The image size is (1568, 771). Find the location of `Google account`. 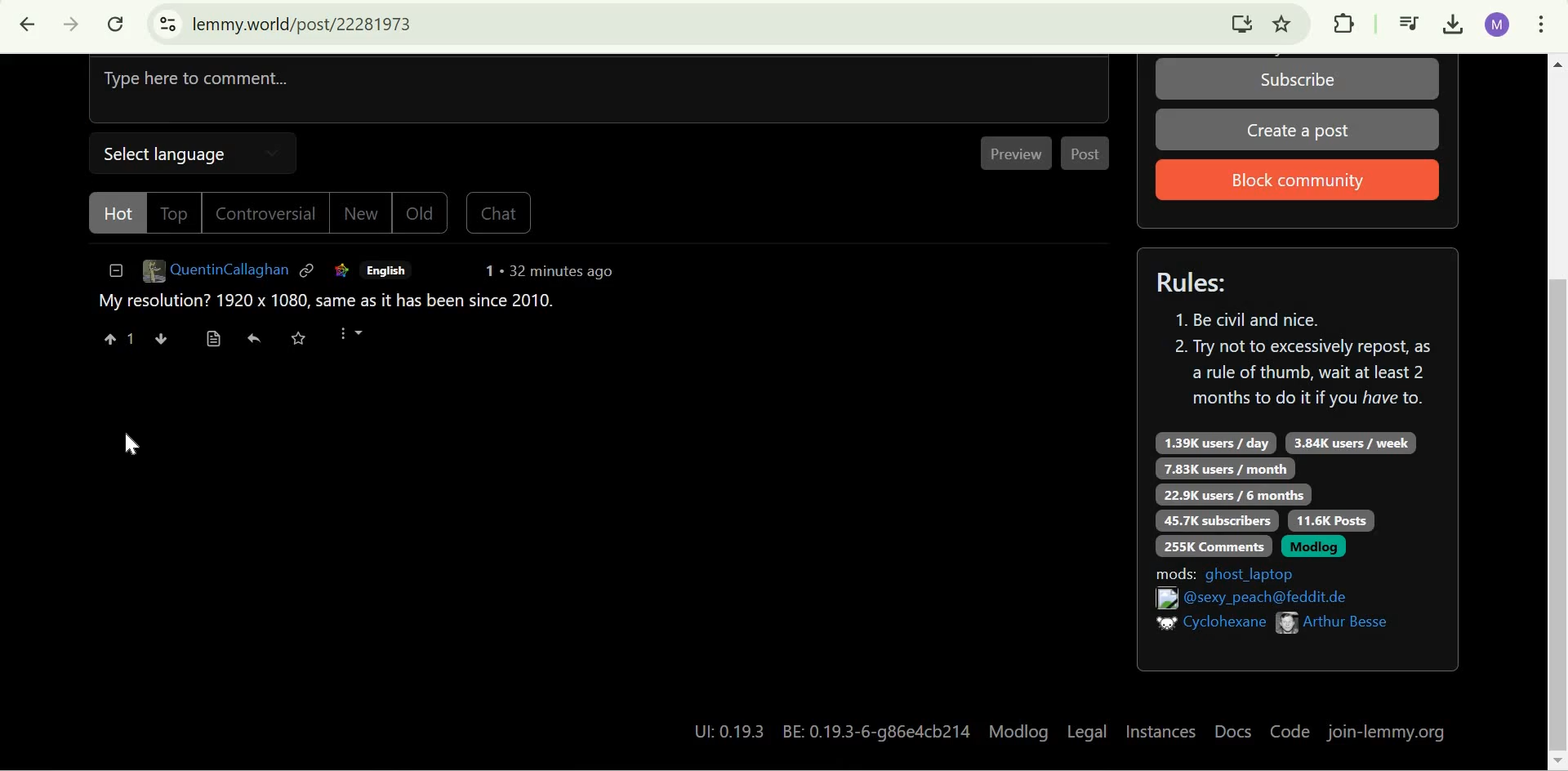

Google account is located at coordinates (1498, 25).